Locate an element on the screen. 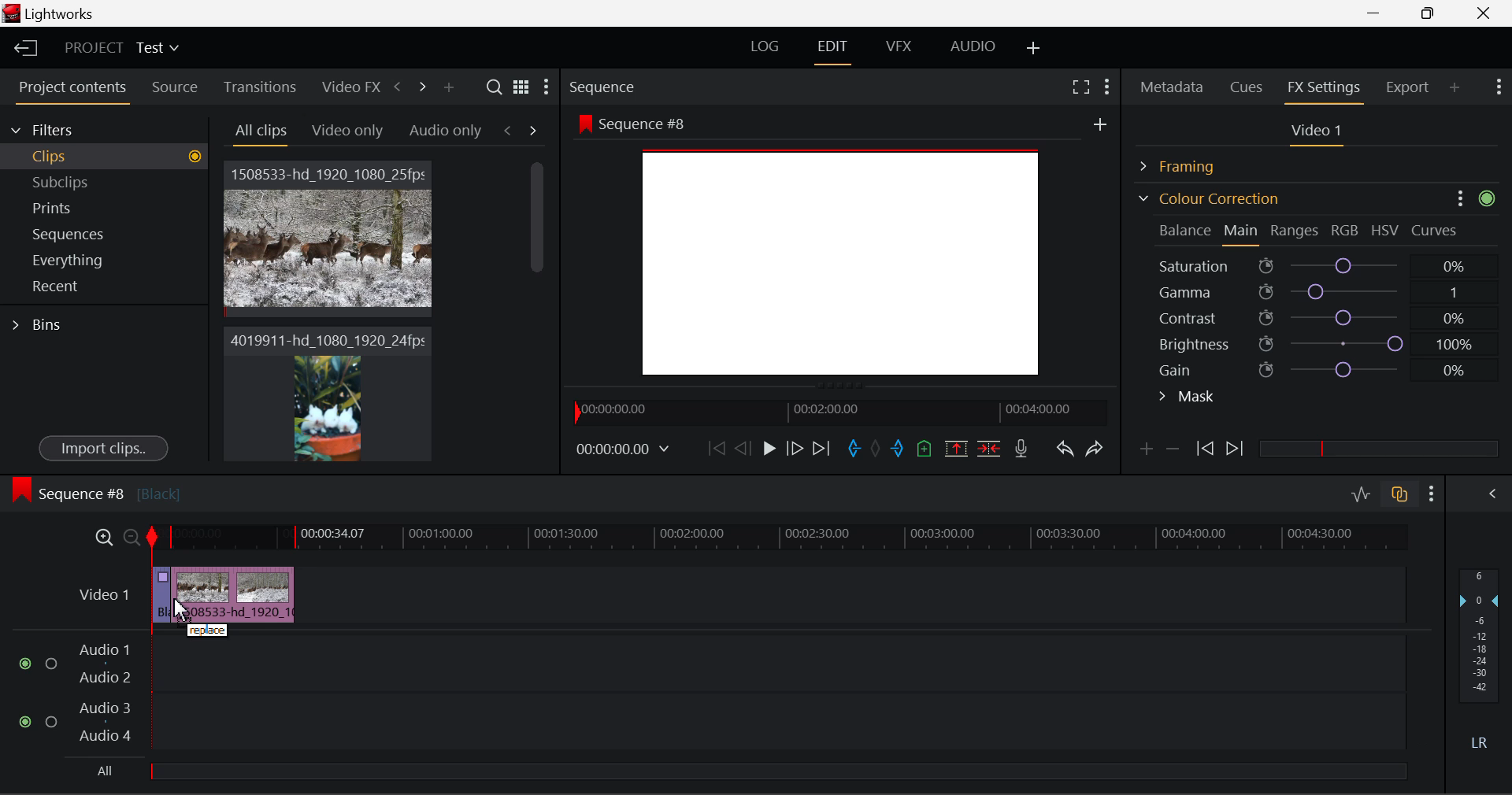 Image resolution: width=1512 pixels, height=795 pixels. Recent Tab Open is located at coordinates (104, 287).